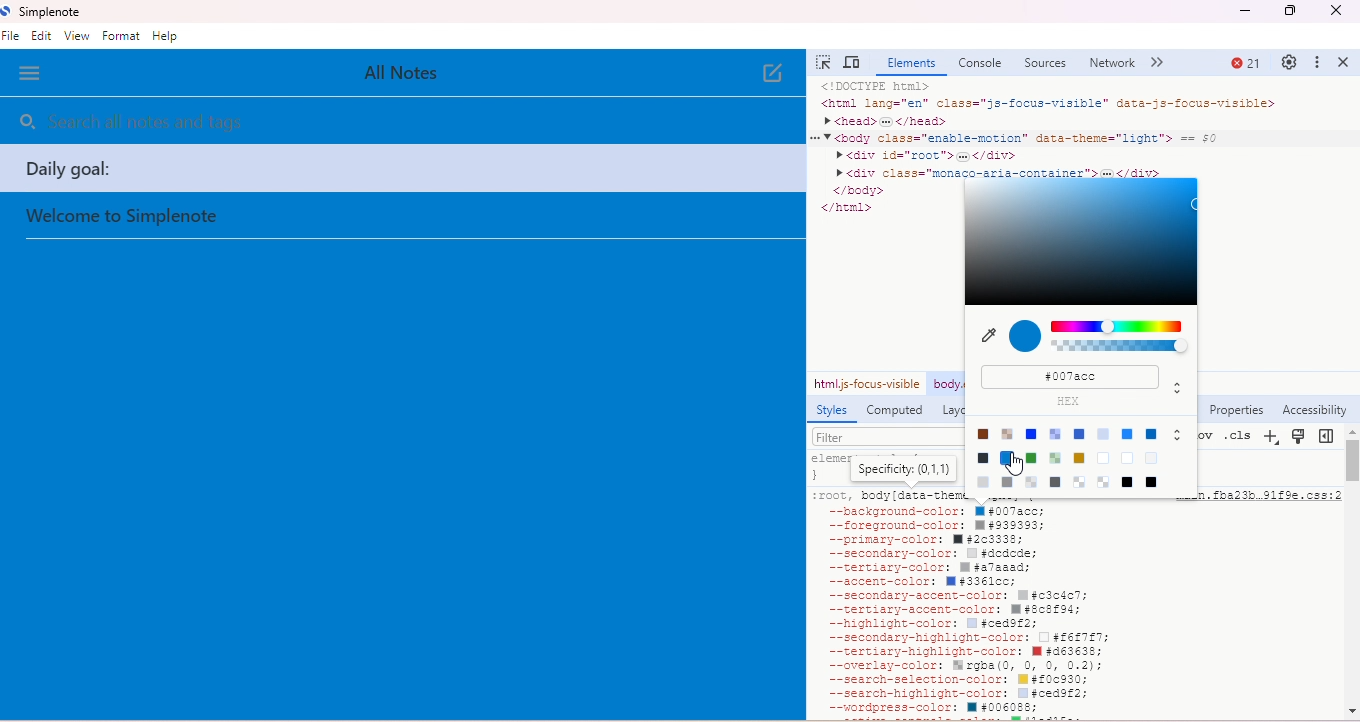  I want to click on tertiary-highlight-color, so click(959, 651).